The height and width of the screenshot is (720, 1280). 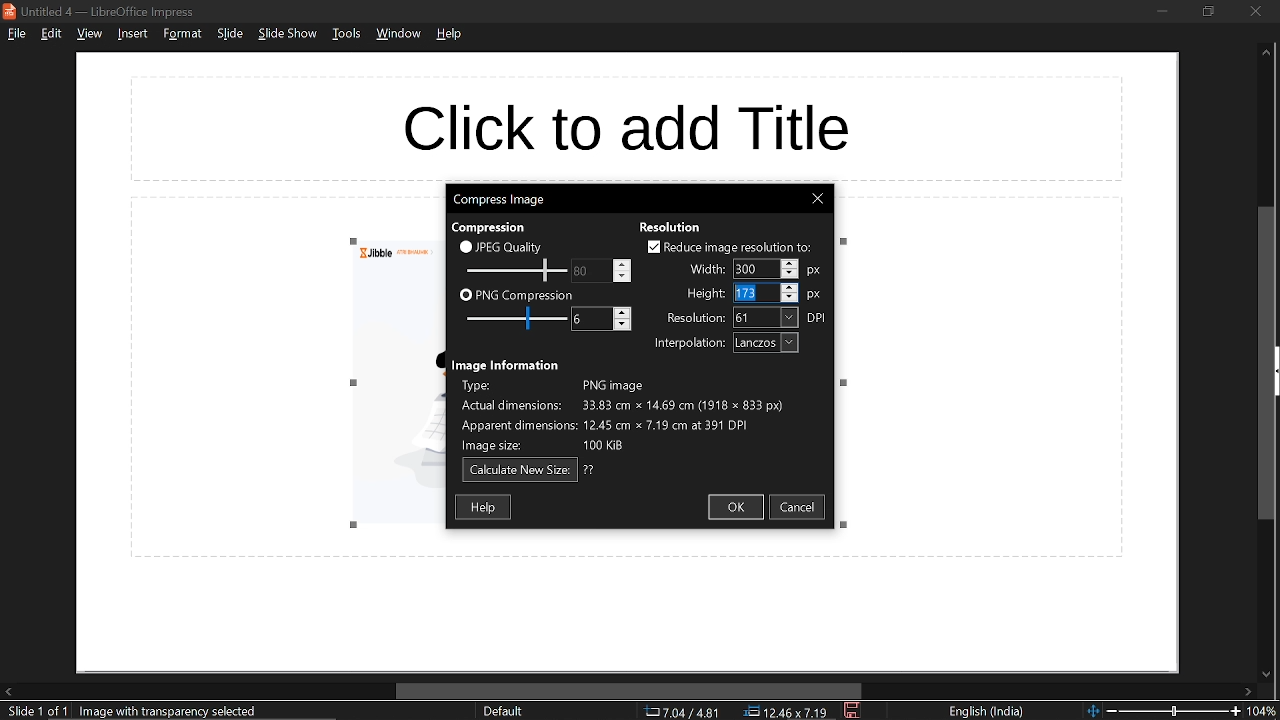 I want to click on help, so click(x=484, y=507).